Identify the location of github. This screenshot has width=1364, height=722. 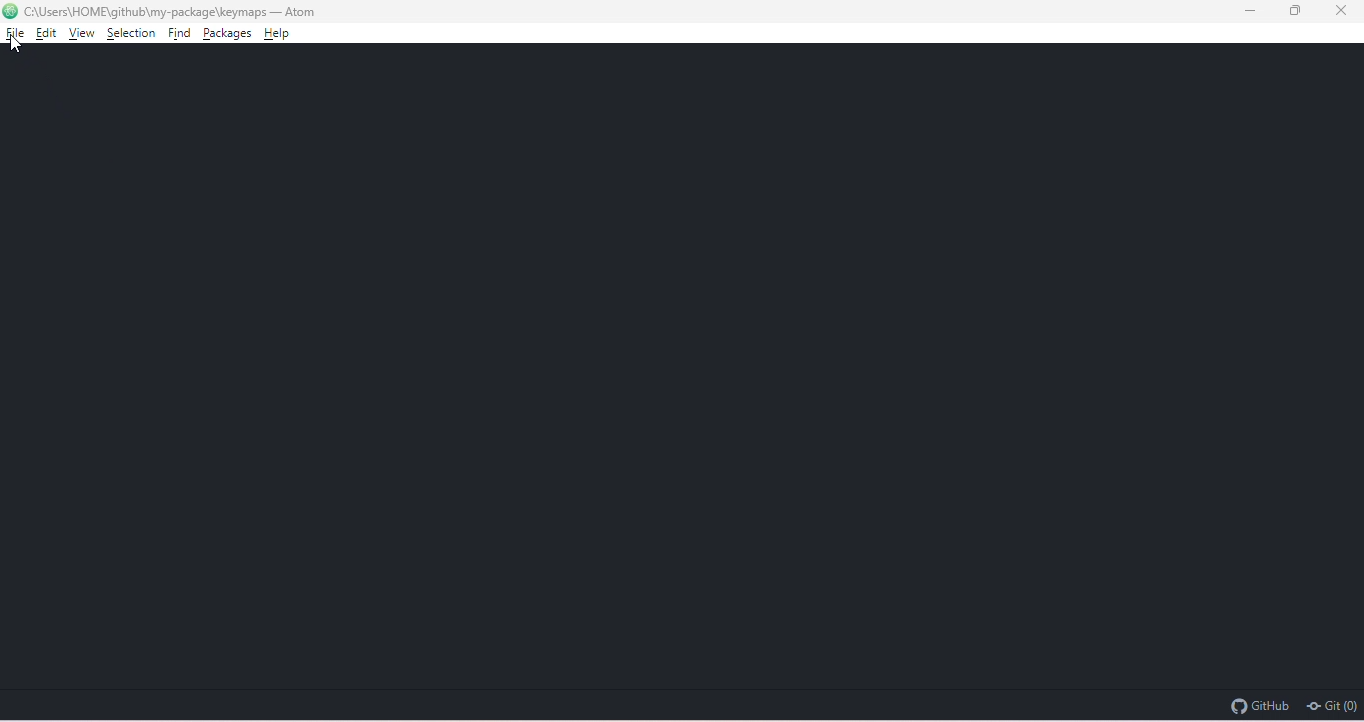
(1259, 704).